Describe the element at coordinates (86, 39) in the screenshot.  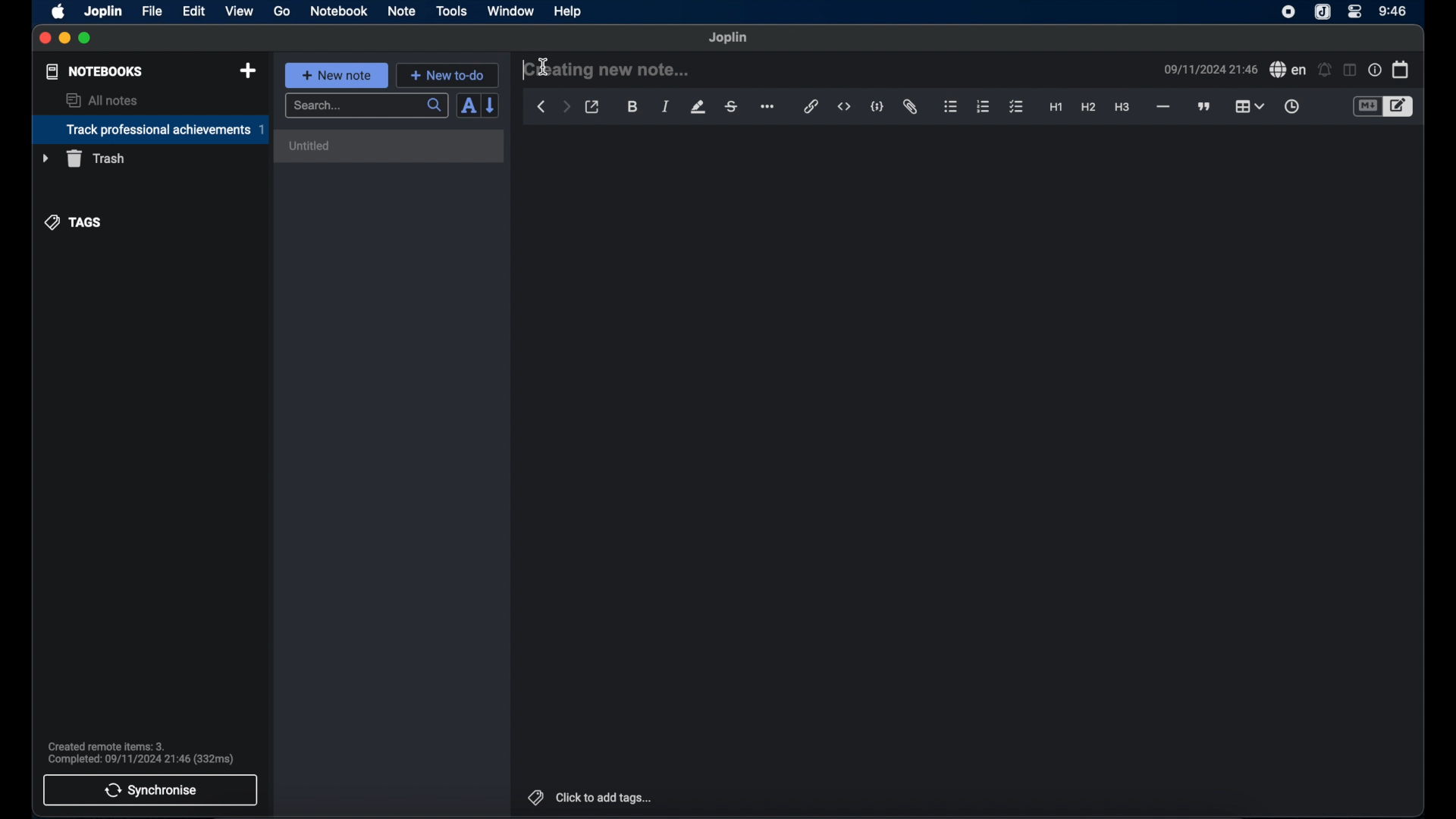
I see `maximize` at that location.